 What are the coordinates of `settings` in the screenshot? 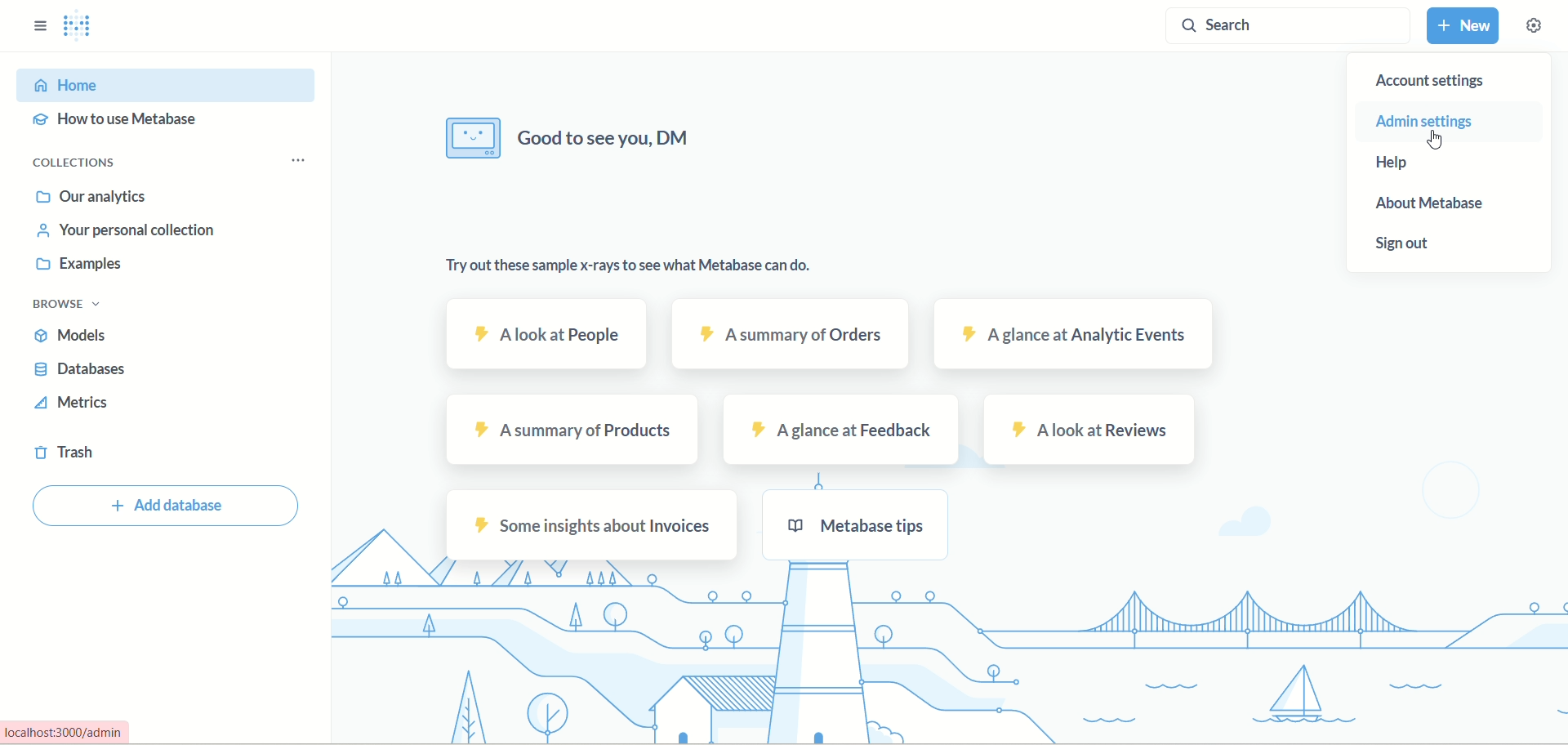 It's located at (1535, 26).